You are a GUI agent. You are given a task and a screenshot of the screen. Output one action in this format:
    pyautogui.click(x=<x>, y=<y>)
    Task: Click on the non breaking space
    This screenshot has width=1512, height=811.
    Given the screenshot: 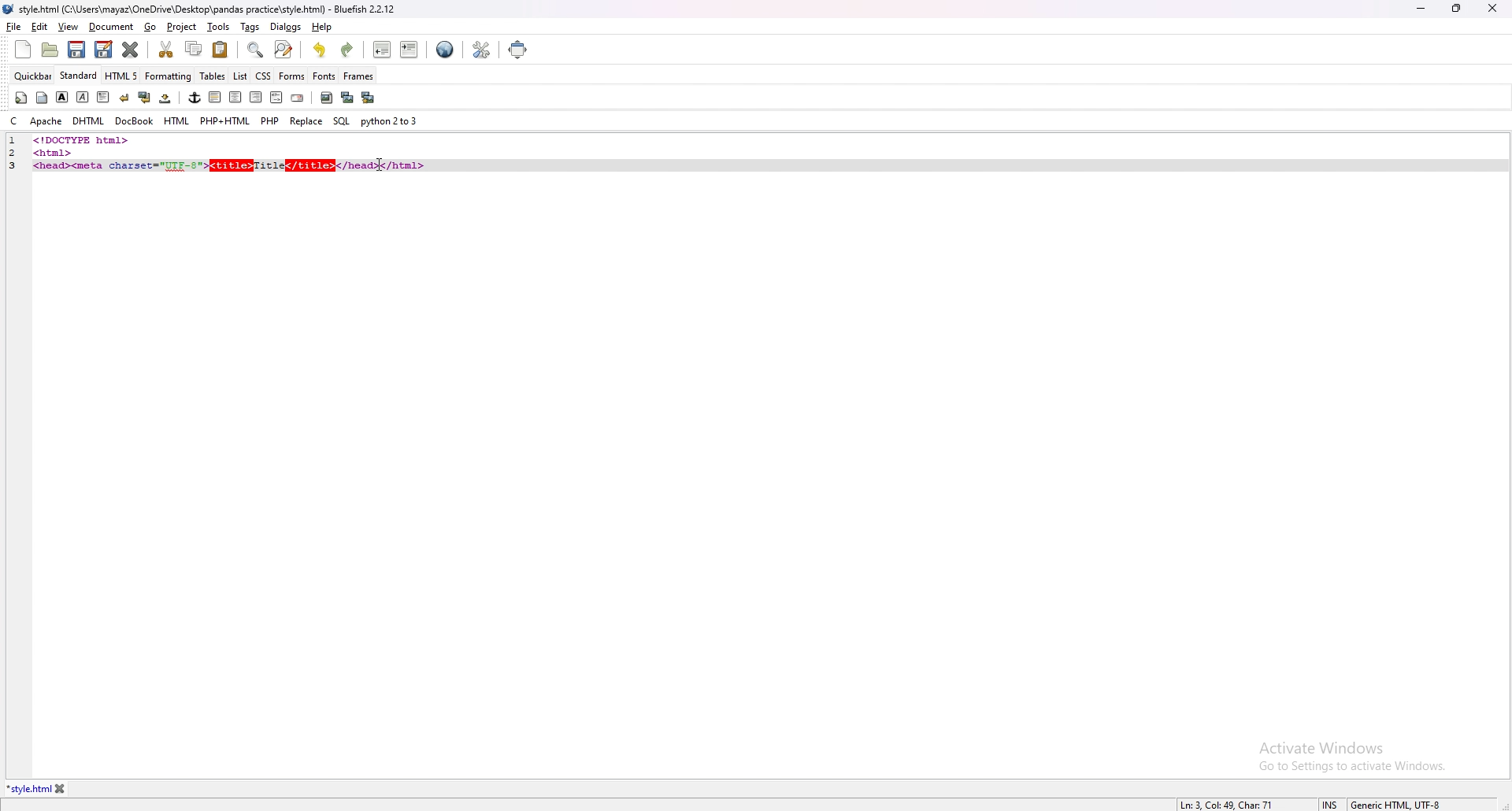 What is the action you would take?
    pyautogui.click(x=166, y=98)
    